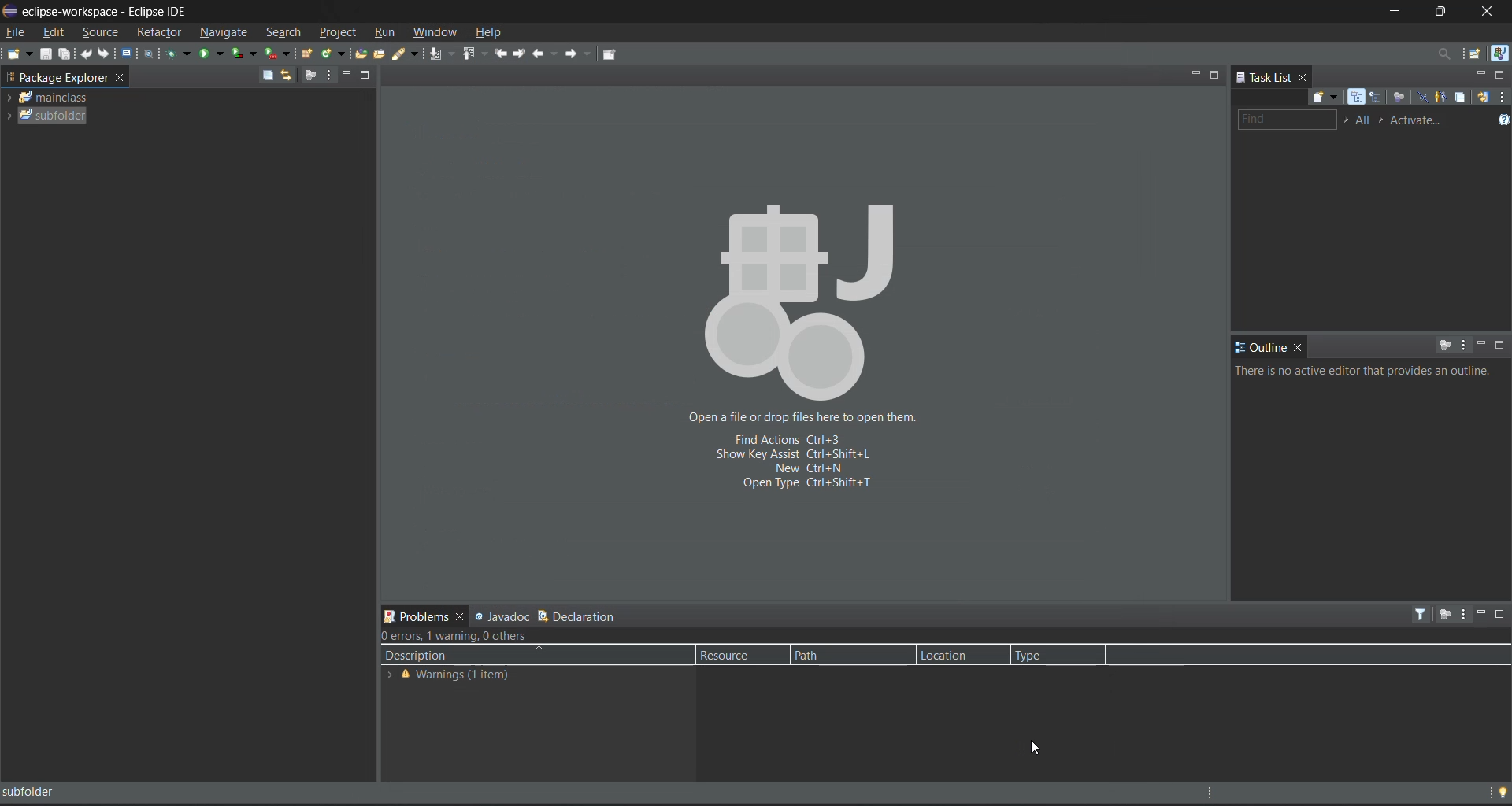  Describe the element at coordinates (1480, 612) in the screenshot. I see `minimize` at that location.